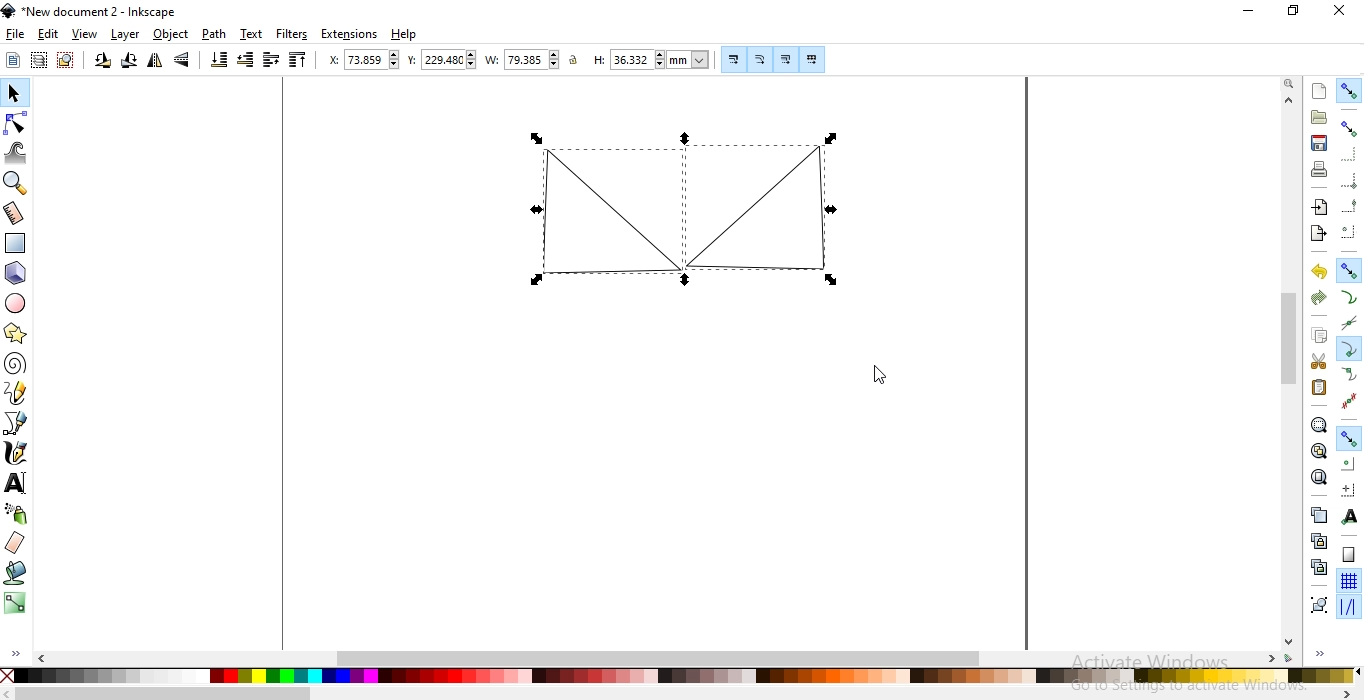 This screenshot has width=1364, height=700. I want to click on width of selection, so click(525, 59).